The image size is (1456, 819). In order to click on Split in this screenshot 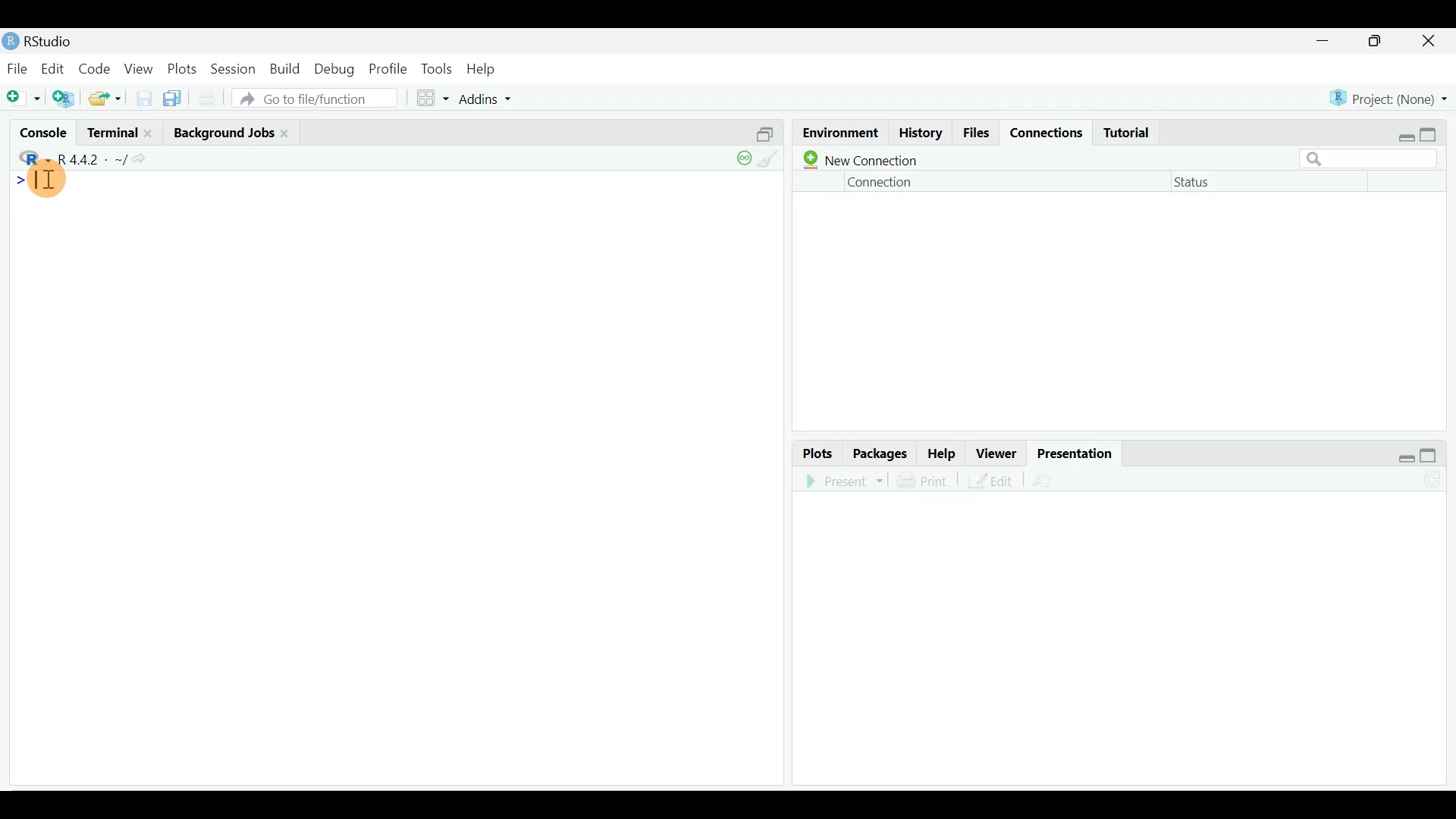, I will do `click(761, 135)`.